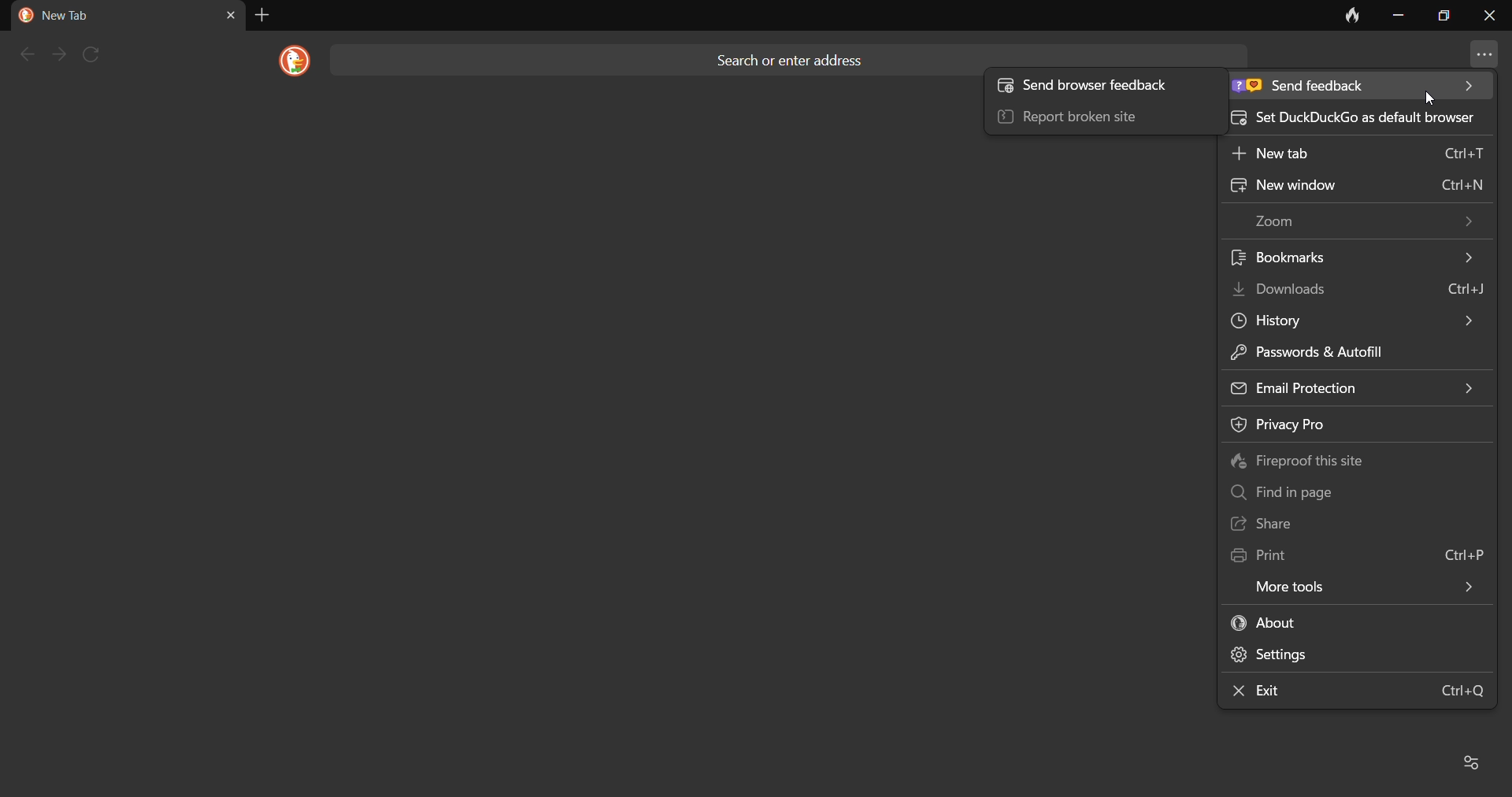 The width and height of the screenshot is (1512, 797). What do you see at coordinates (1352, 459) in the screenshot?
I see `fireproof this site` at bounding box center [1352, 459].